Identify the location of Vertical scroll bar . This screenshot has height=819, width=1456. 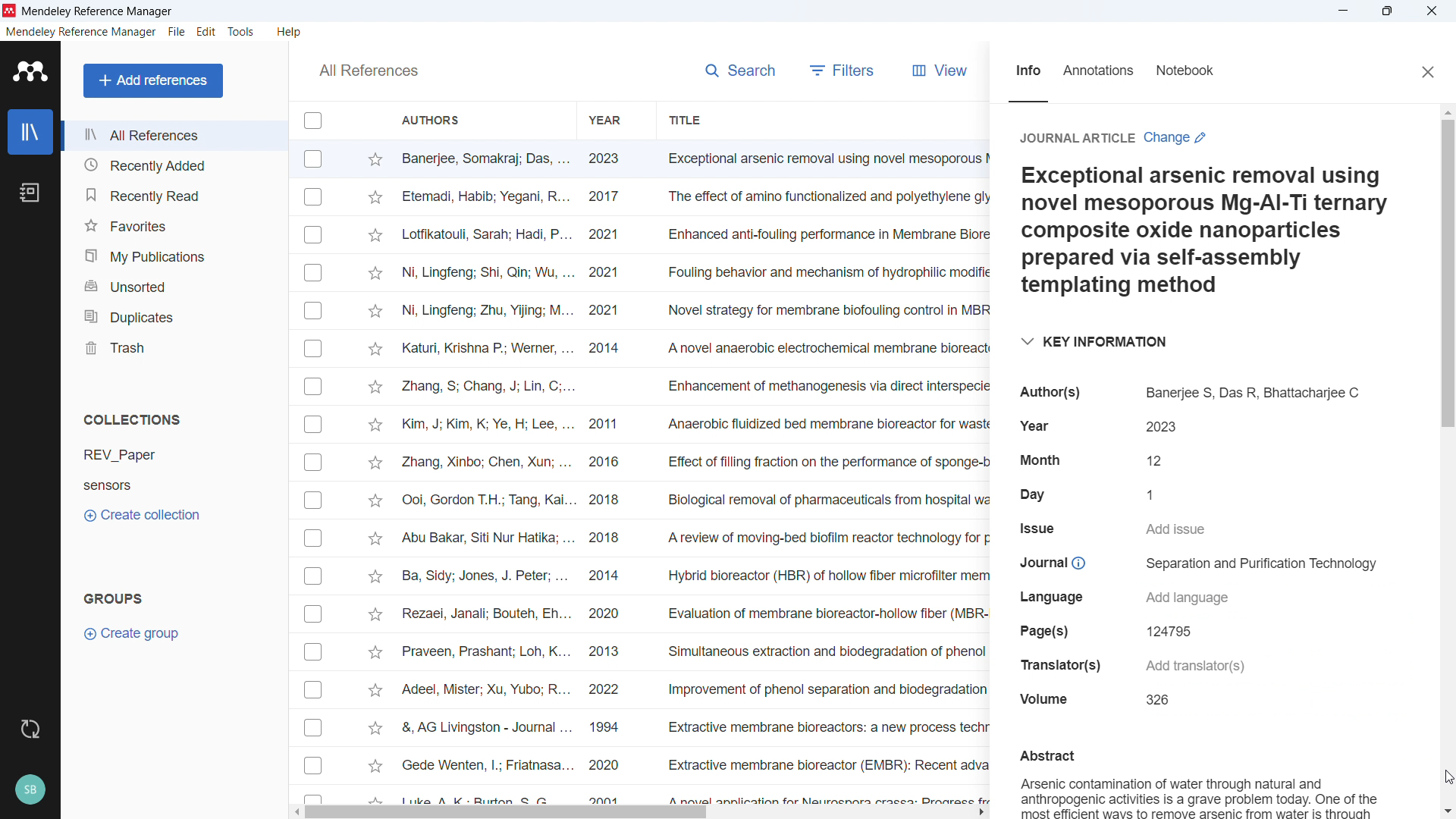
(1451, 272).